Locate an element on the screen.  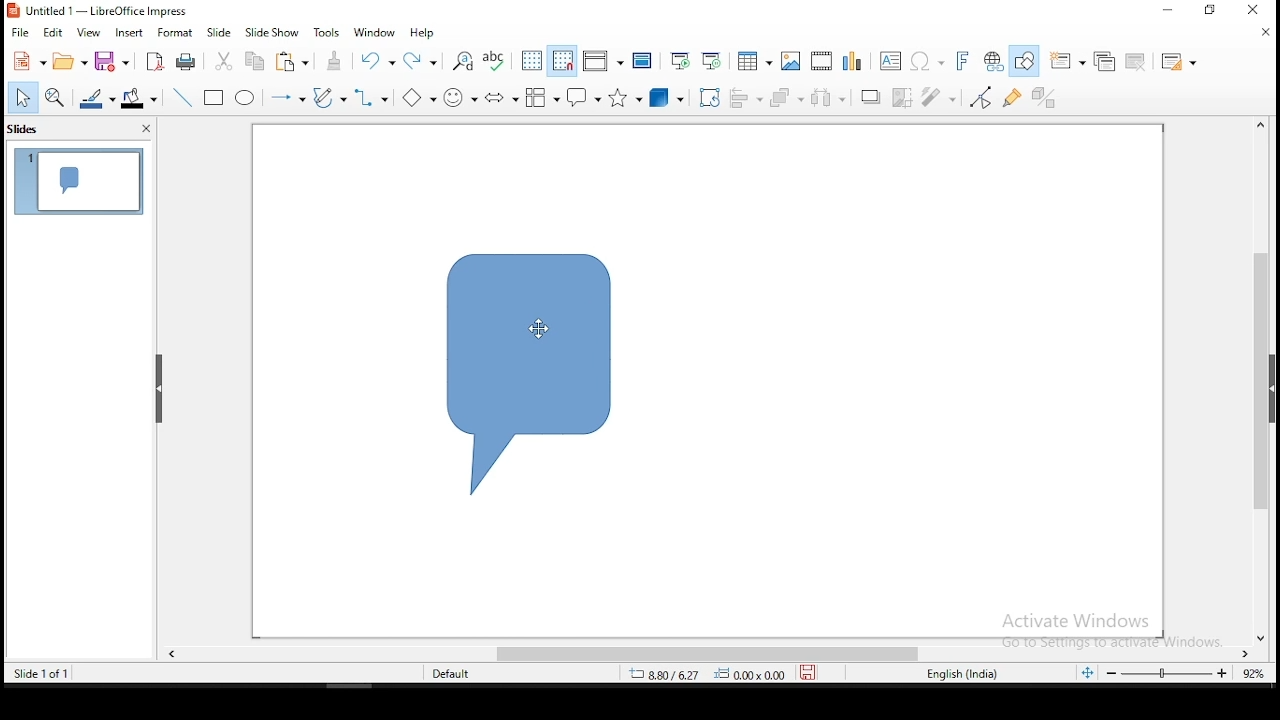
8.80/6.27 is located at coordinates (669, 675).